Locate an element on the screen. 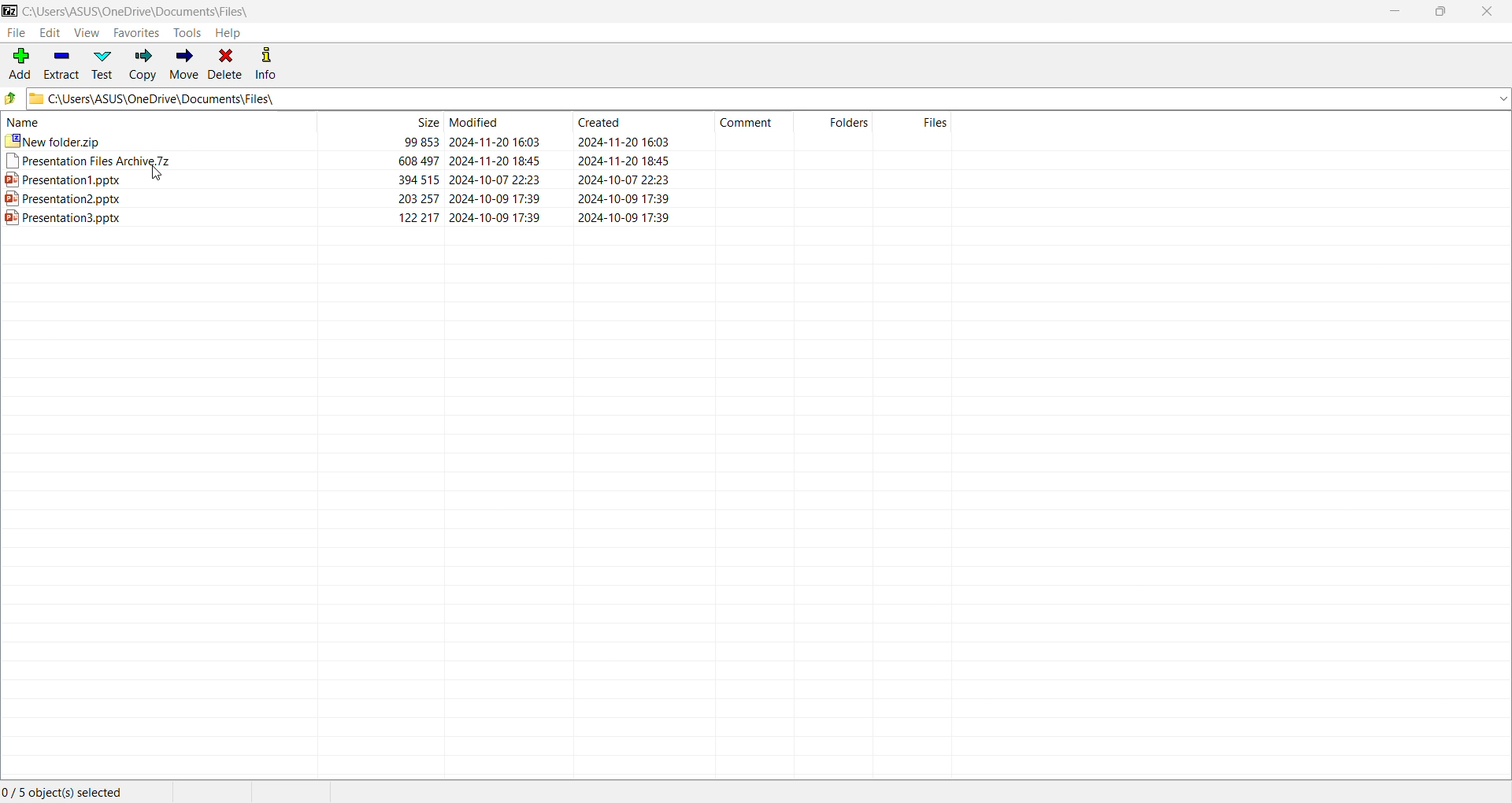 This screenshot has height=803, width=1512. File is located at coordinates (14, 32).